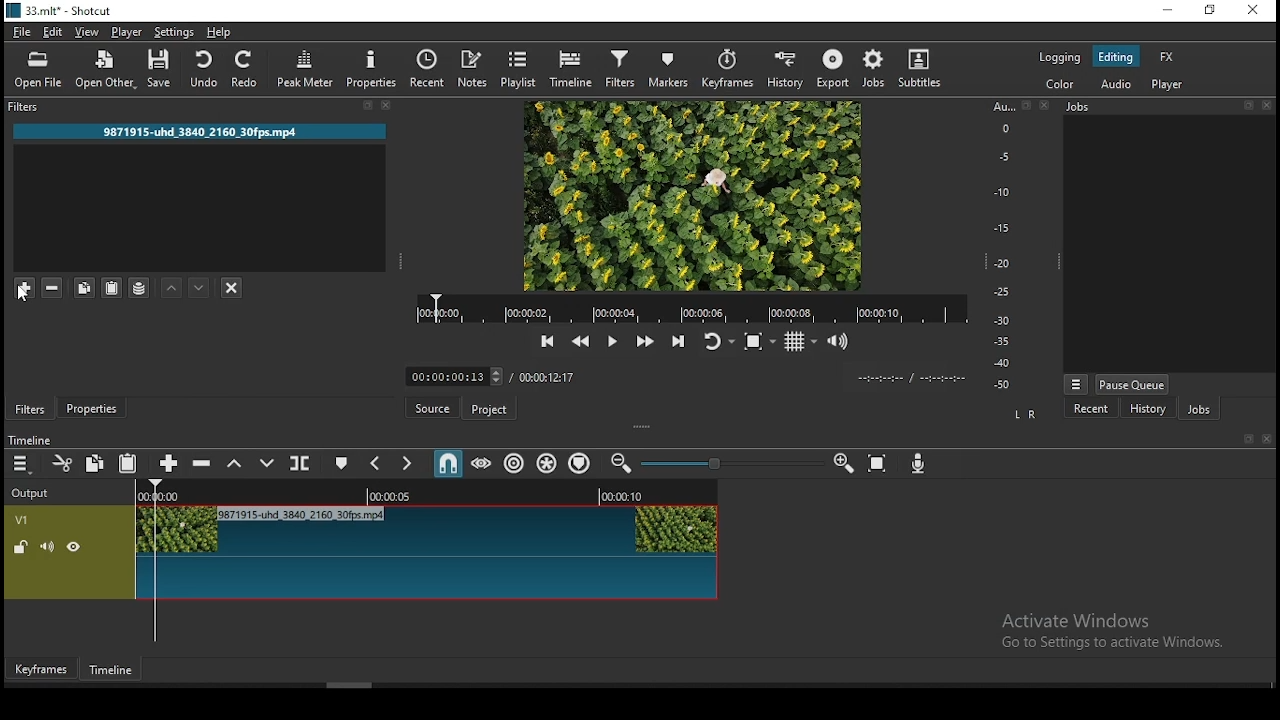 This screenshot has height=720, width=1280. Describe the element at coordinates (1148, 409) in the screenshot. I see `history` at that location.